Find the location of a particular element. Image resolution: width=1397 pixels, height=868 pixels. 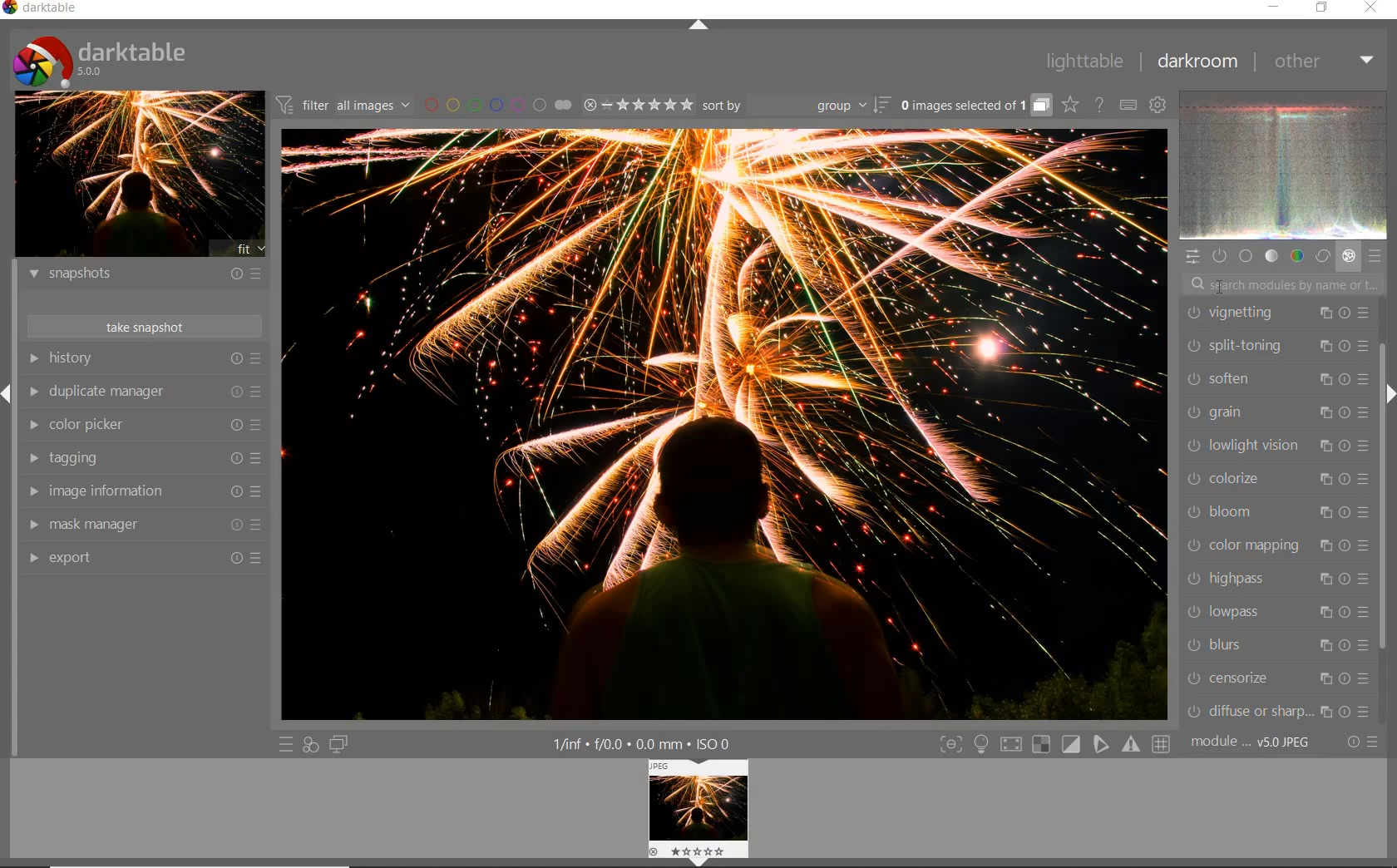

darkroom is located at coordinates (1196, 62).